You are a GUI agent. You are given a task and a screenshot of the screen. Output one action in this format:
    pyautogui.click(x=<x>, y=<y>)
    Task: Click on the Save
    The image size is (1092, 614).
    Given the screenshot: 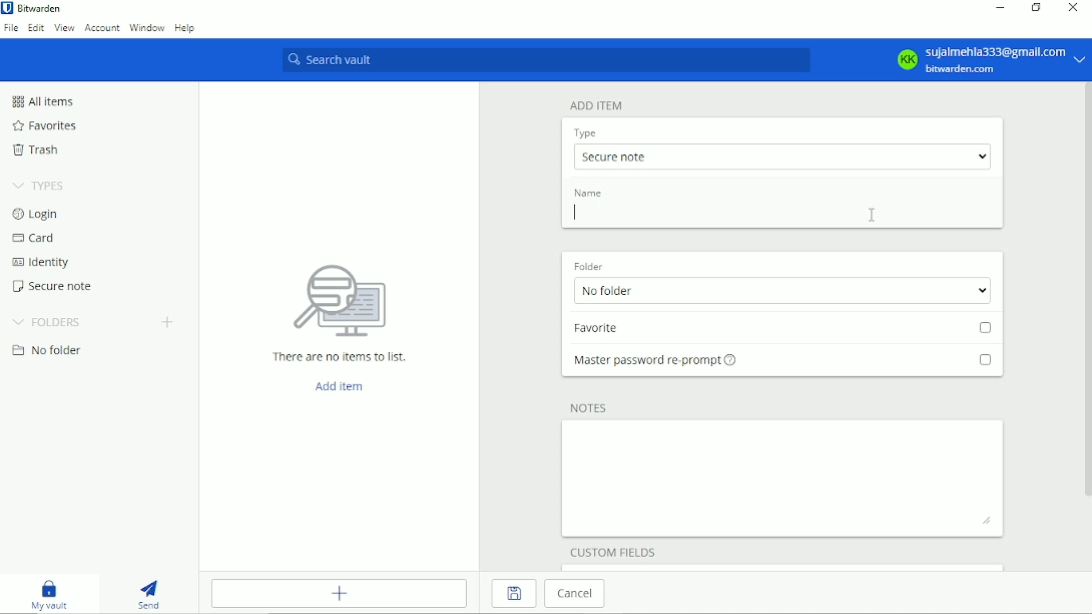 What is the action you would take?
    pyautogui.click(x=513, y=594)
    